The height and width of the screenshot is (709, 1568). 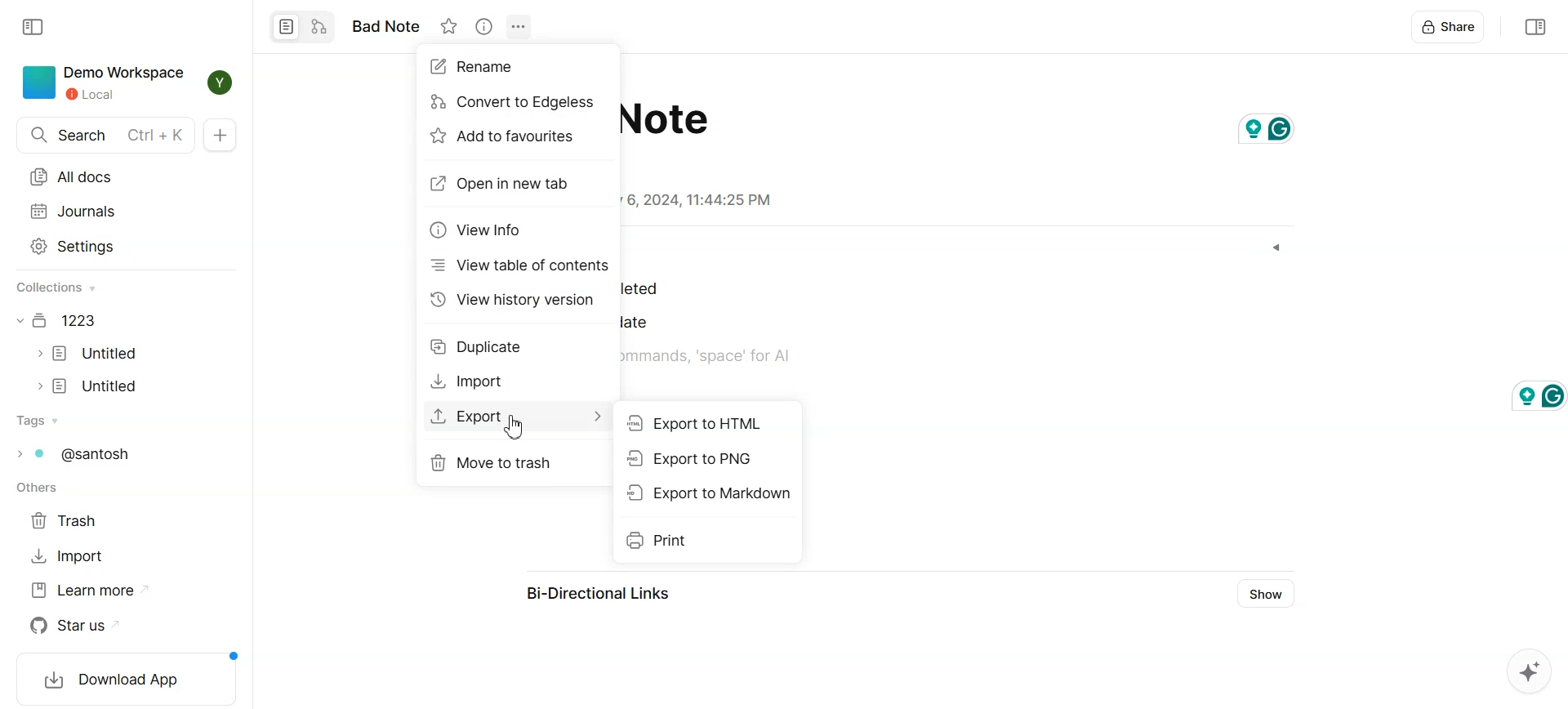 I want to click on Journals, so click(x=105, y=210).